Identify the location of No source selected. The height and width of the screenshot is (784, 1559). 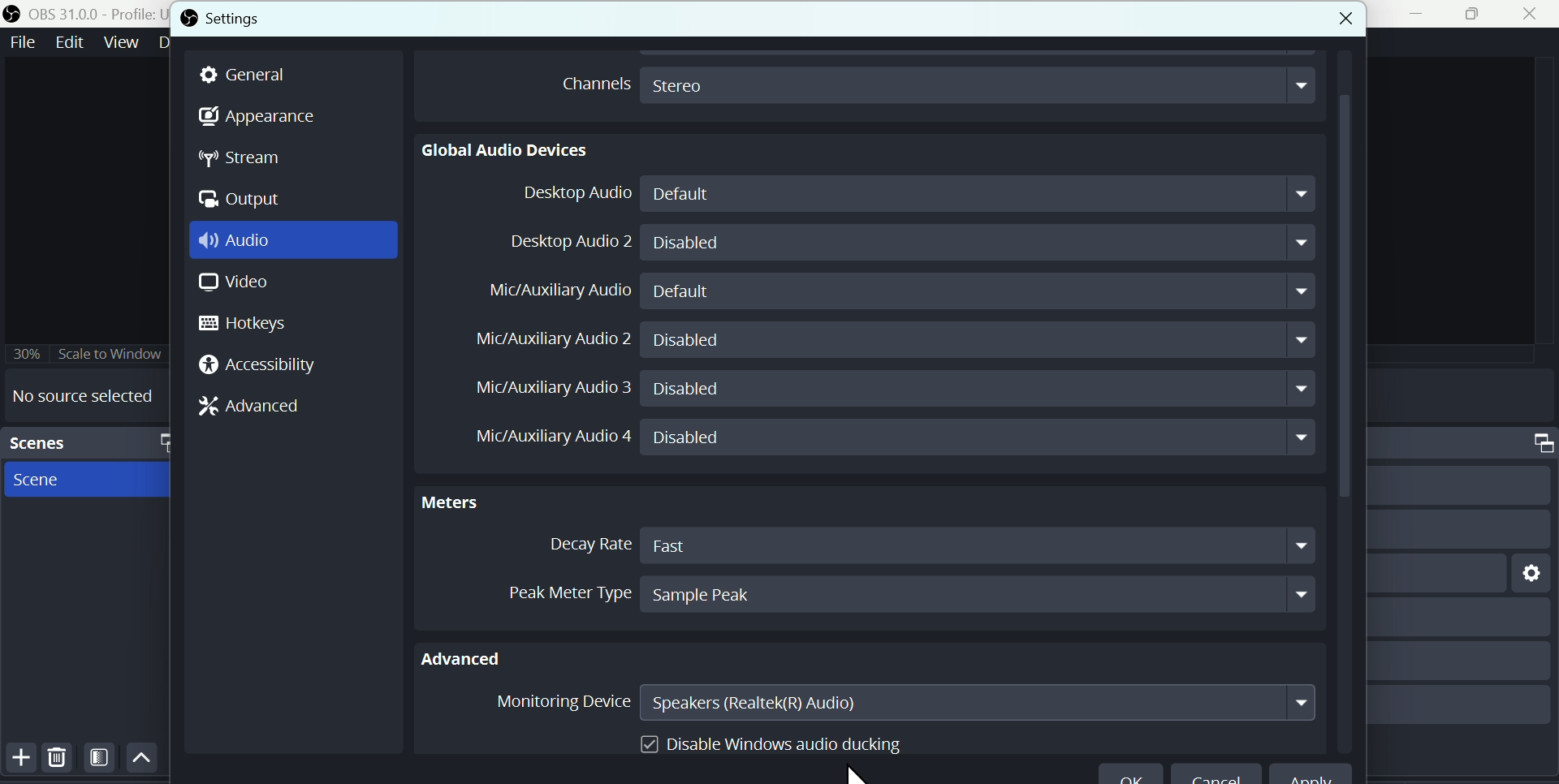
(83, 395).